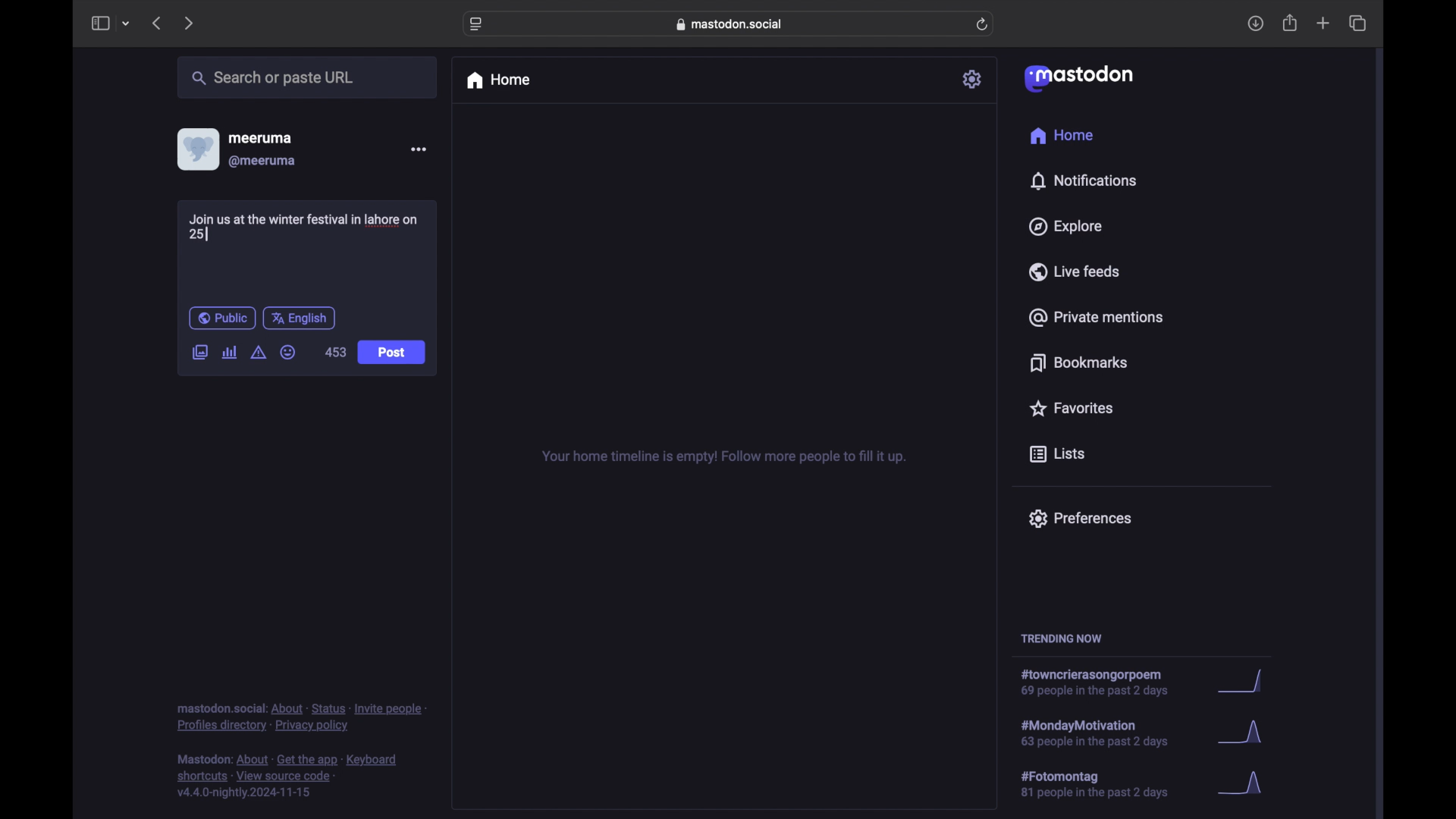 The height and width of the screenshot is (819, 1456). Describe the element at coordinates (478, 24) in the screenshot. I see `website settings` at that location.